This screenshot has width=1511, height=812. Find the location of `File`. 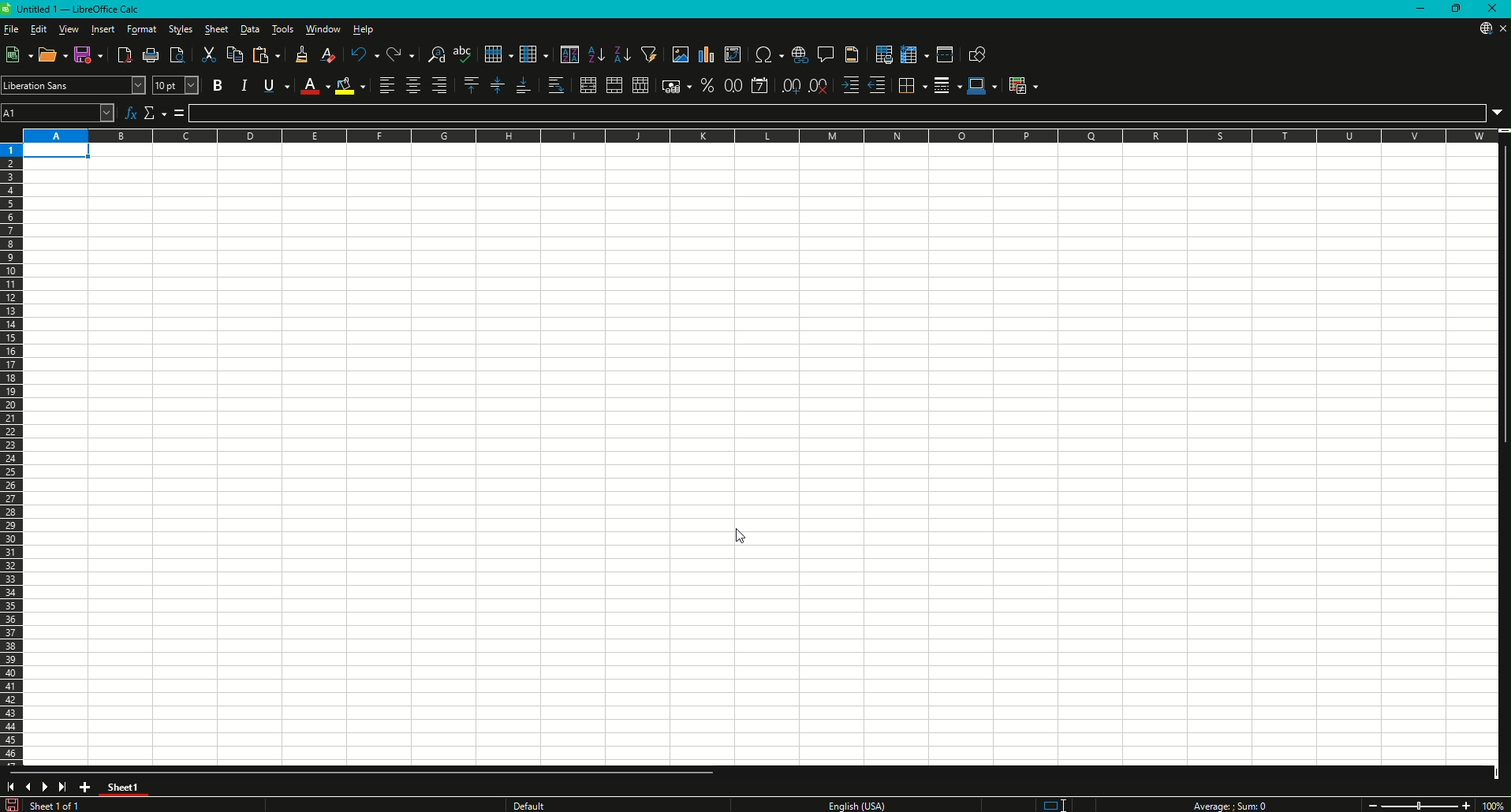

File is located at coordinates (12, 29).